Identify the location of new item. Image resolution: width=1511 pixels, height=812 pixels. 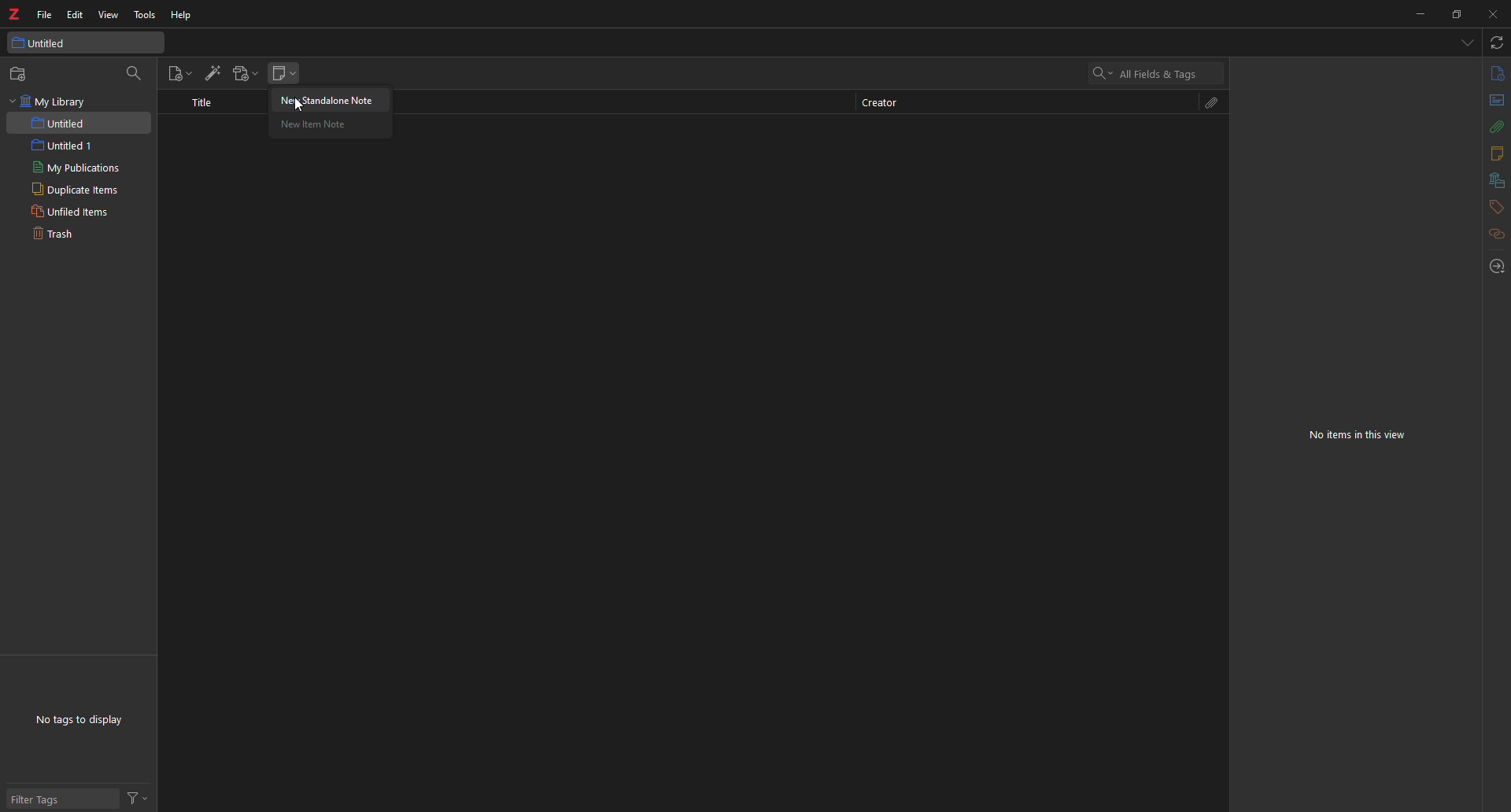
(178, 73).